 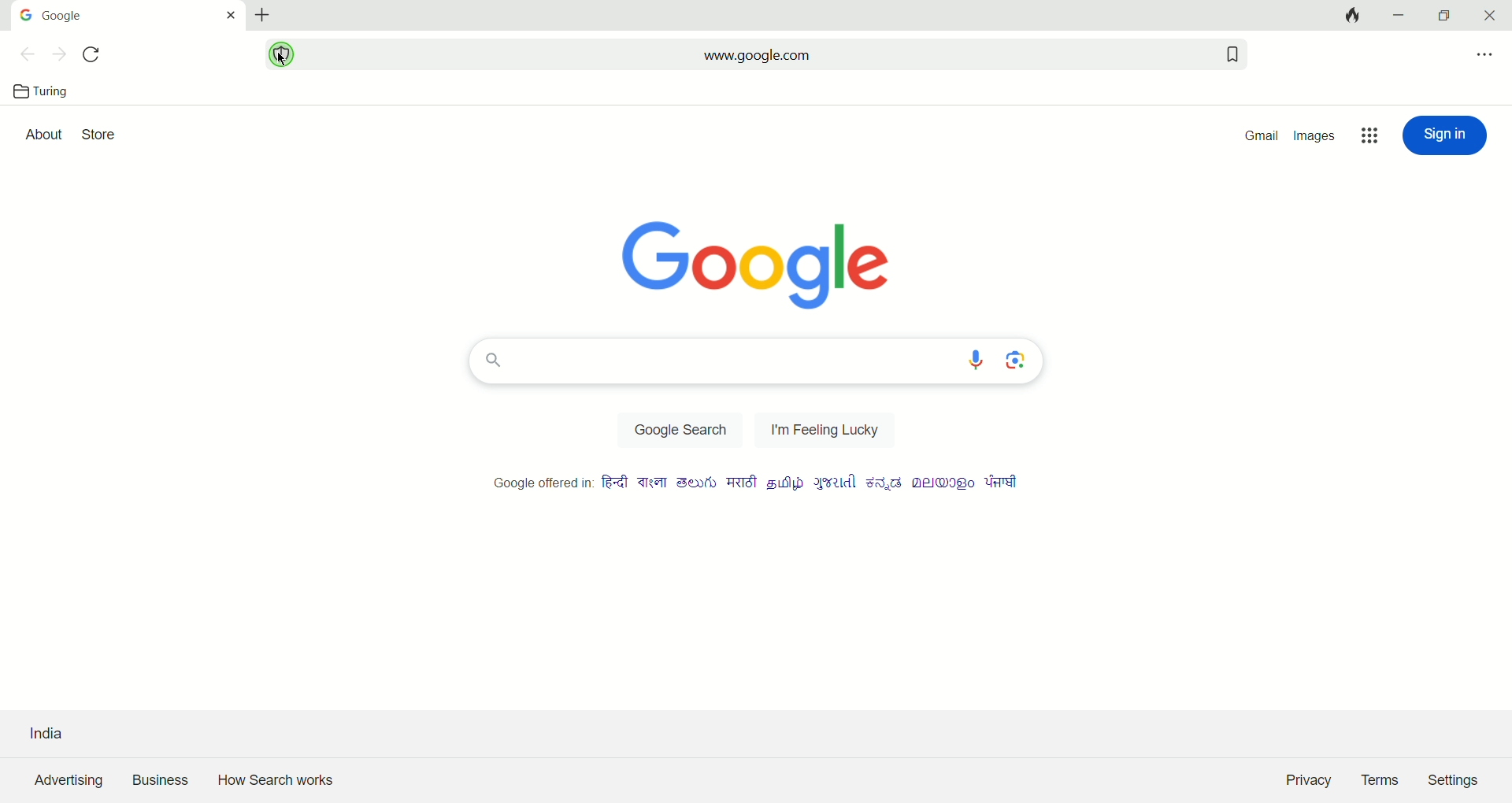 I want to click on I am feeling lucky, so click(x=825, y=426).